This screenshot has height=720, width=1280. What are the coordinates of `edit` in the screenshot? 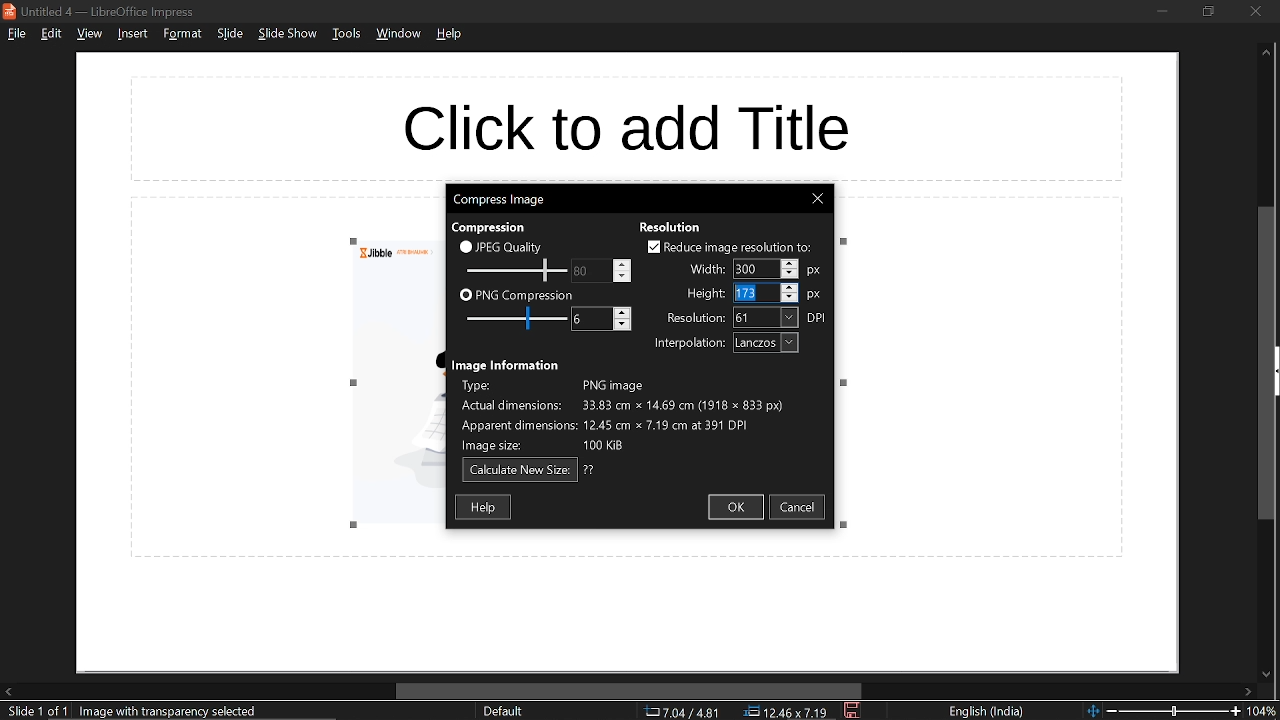 It's located at (50, 34).